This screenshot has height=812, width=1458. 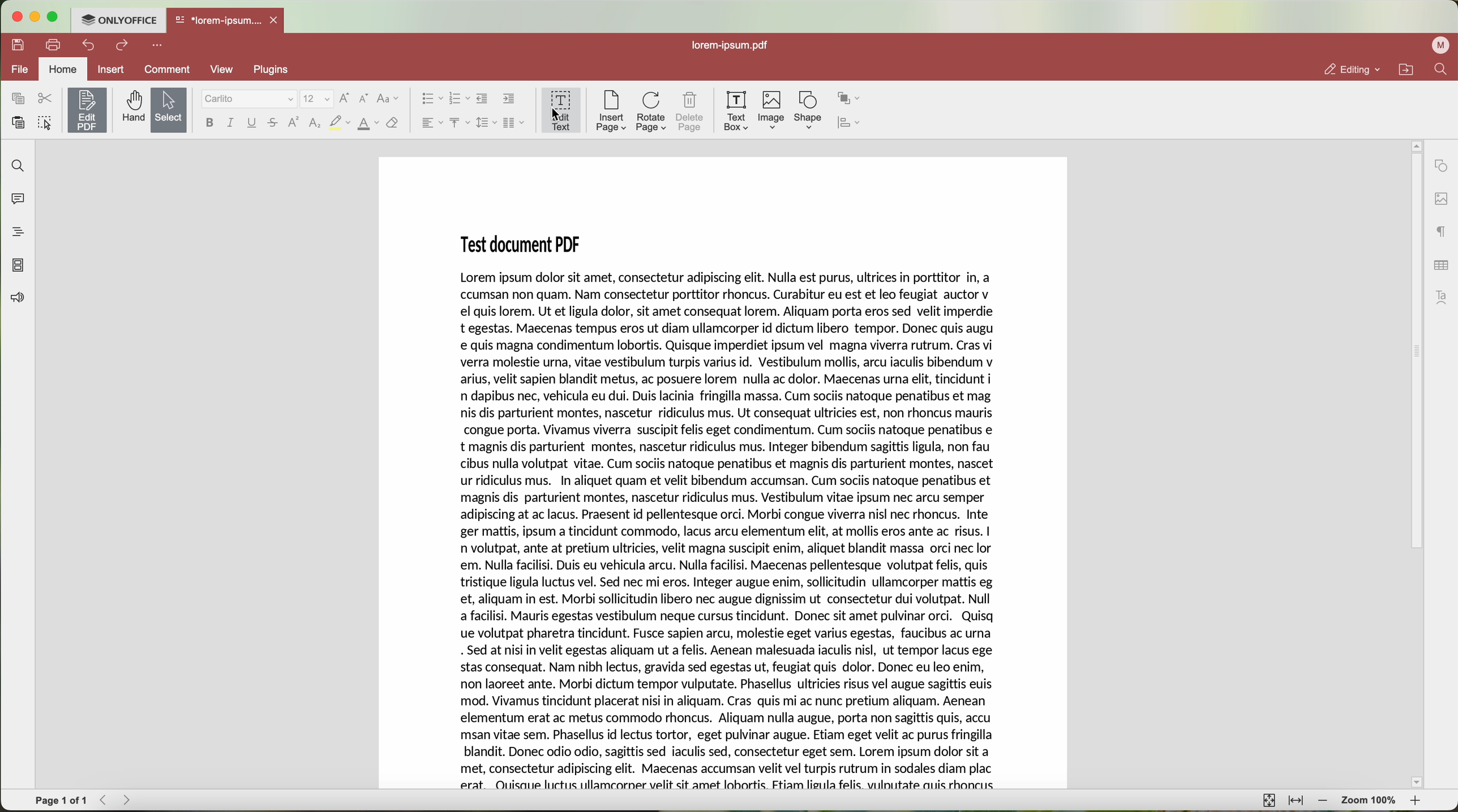 I want to click on print, so click(x=56, y=45).